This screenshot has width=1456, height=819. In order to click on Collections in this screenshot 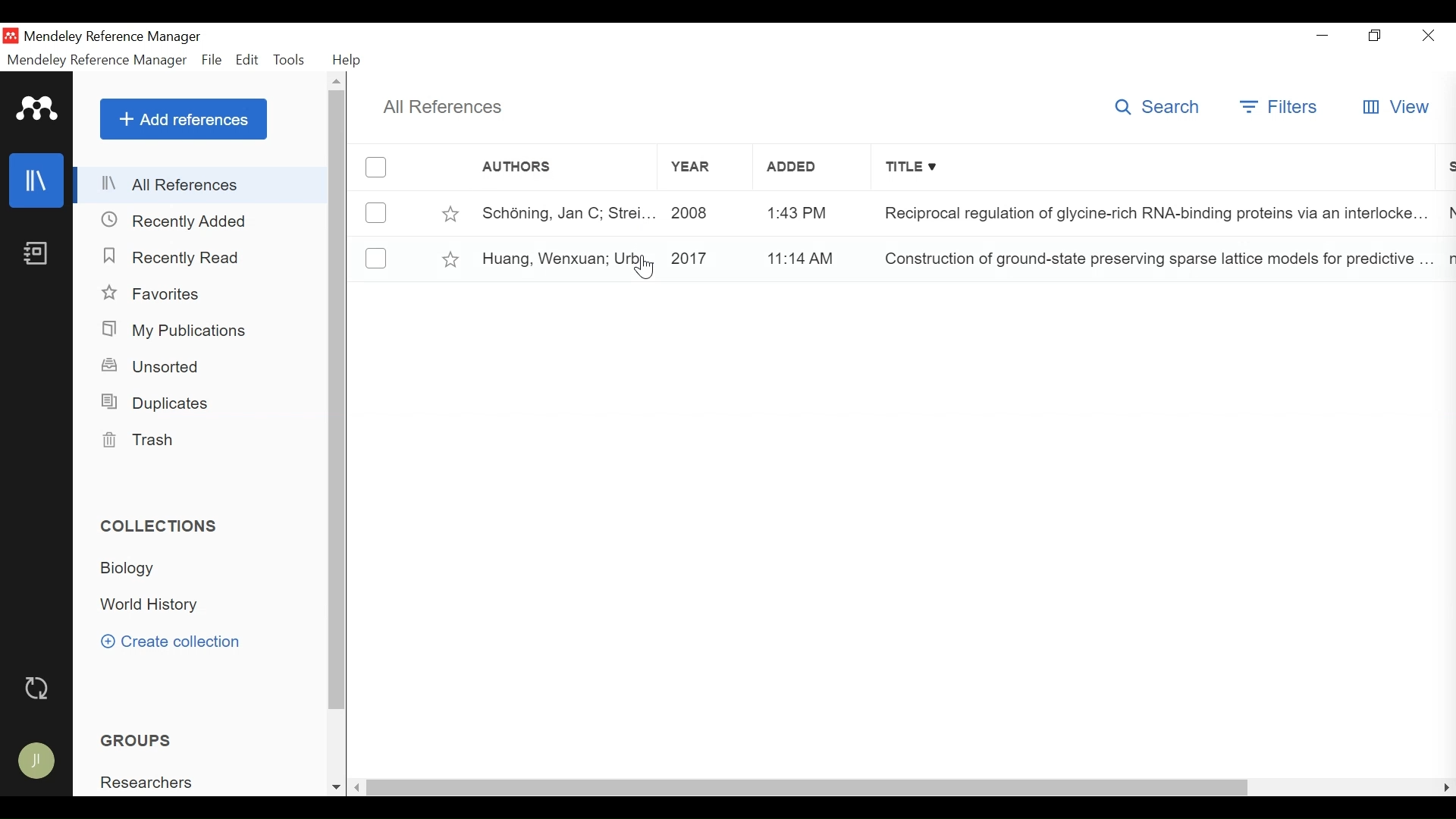, I will do `click(161, 526)`.